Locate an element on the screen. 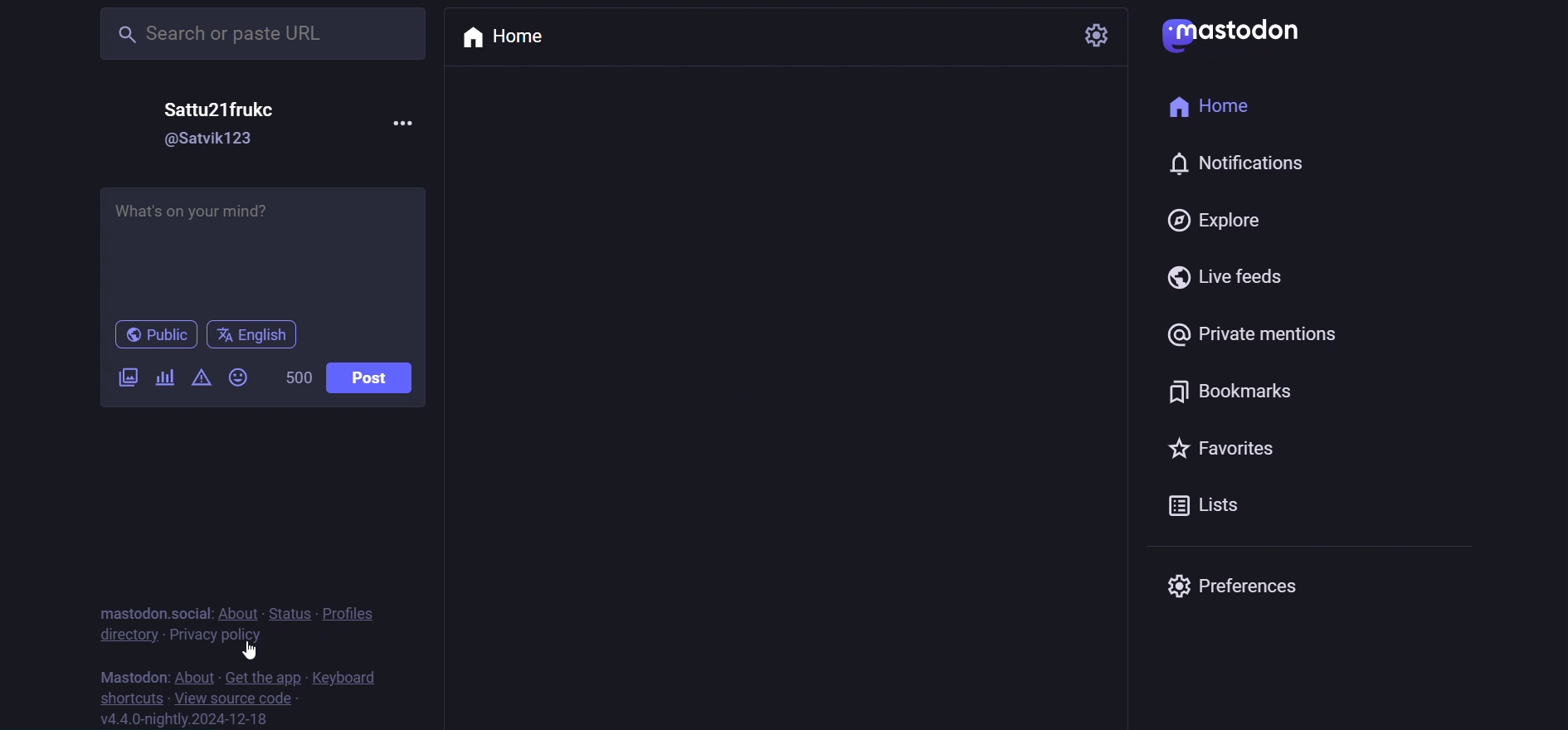 The image size is (1568, 730). preferences is located at coordinates (1244, 582).